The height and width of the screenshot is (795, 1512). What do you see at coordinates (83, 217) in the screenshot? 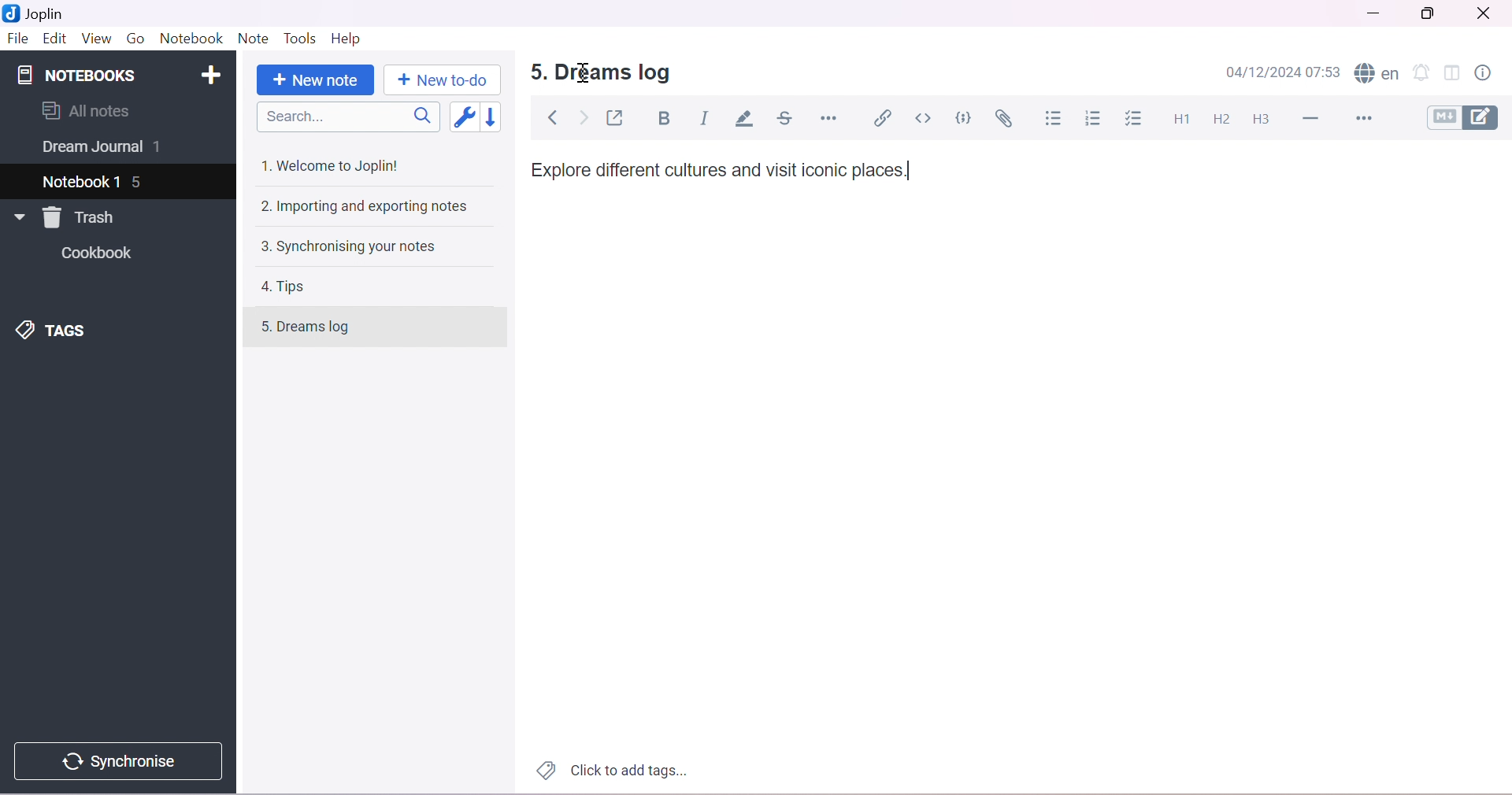
I see `Trash` at bounding box center [83, 217].